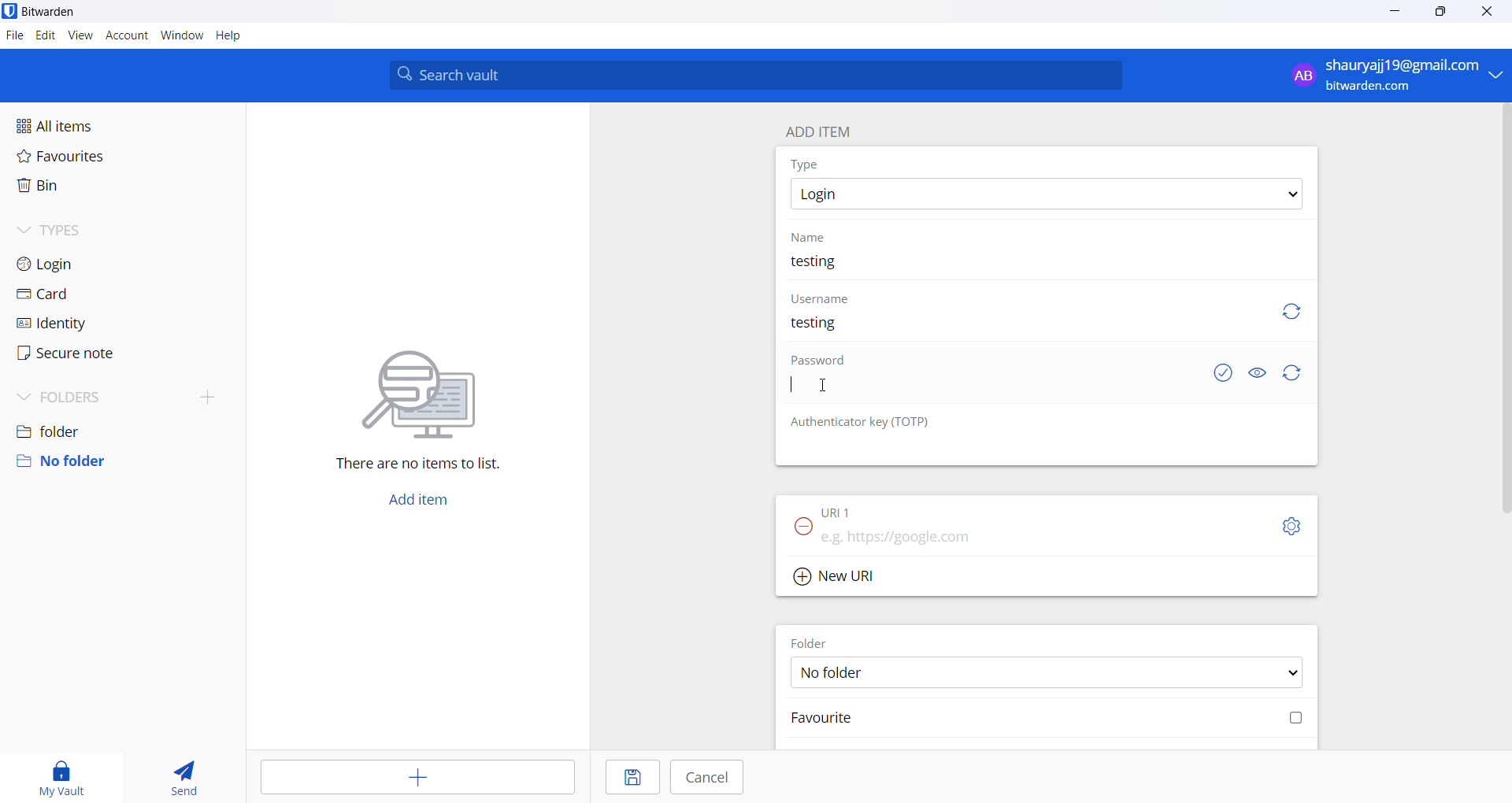 This screenshot has height=803, width=1512. I want to click on Add new URL, so click(839, 576).